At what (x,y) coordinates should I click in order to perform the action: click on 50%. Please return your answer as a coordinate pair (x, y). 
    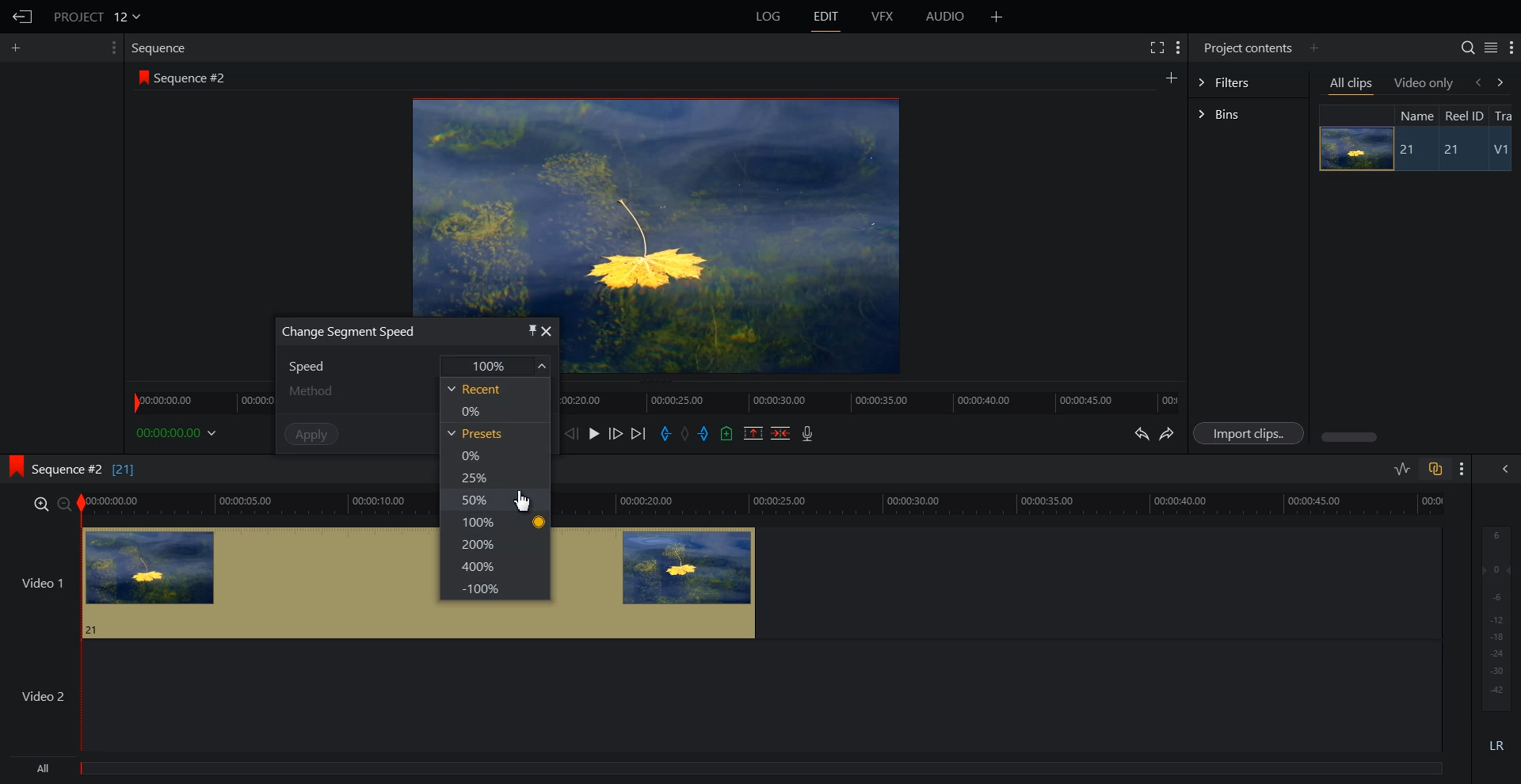
    Looking at the image, I should click on (473, 499).